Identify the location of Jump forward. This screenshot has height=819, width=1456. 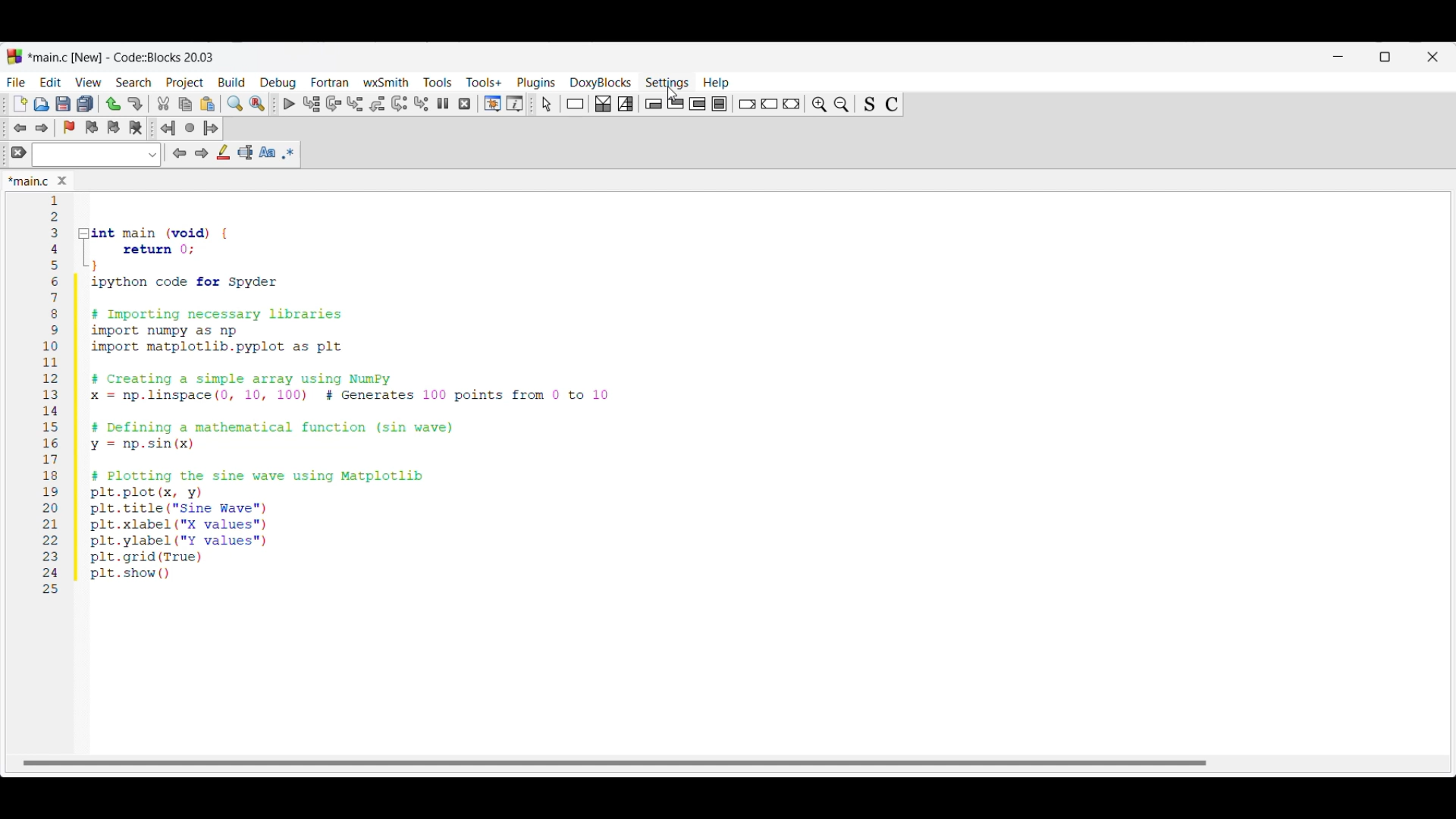
(211, 128).